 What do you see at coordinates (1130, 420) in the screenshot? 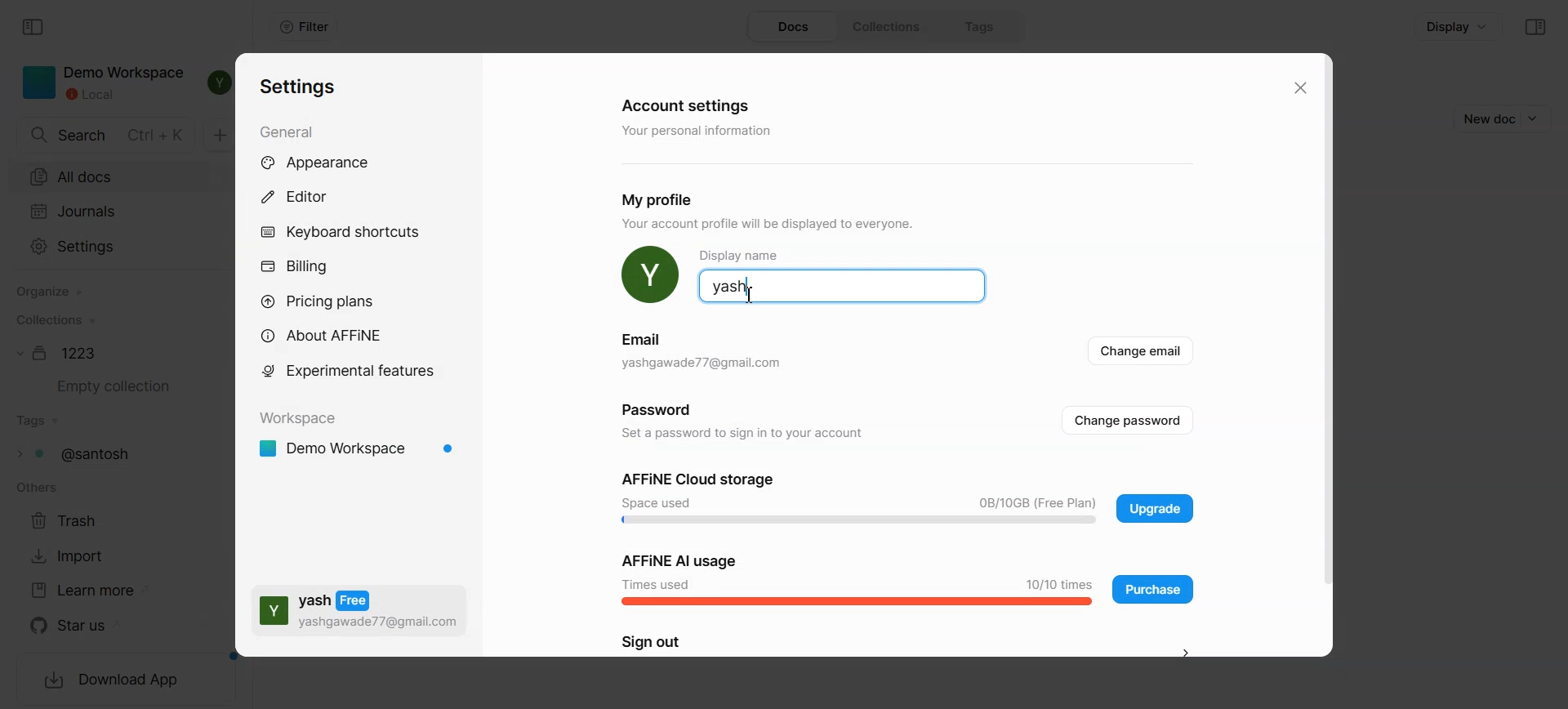
I see `Change password` at bounding box center [1130, 420].